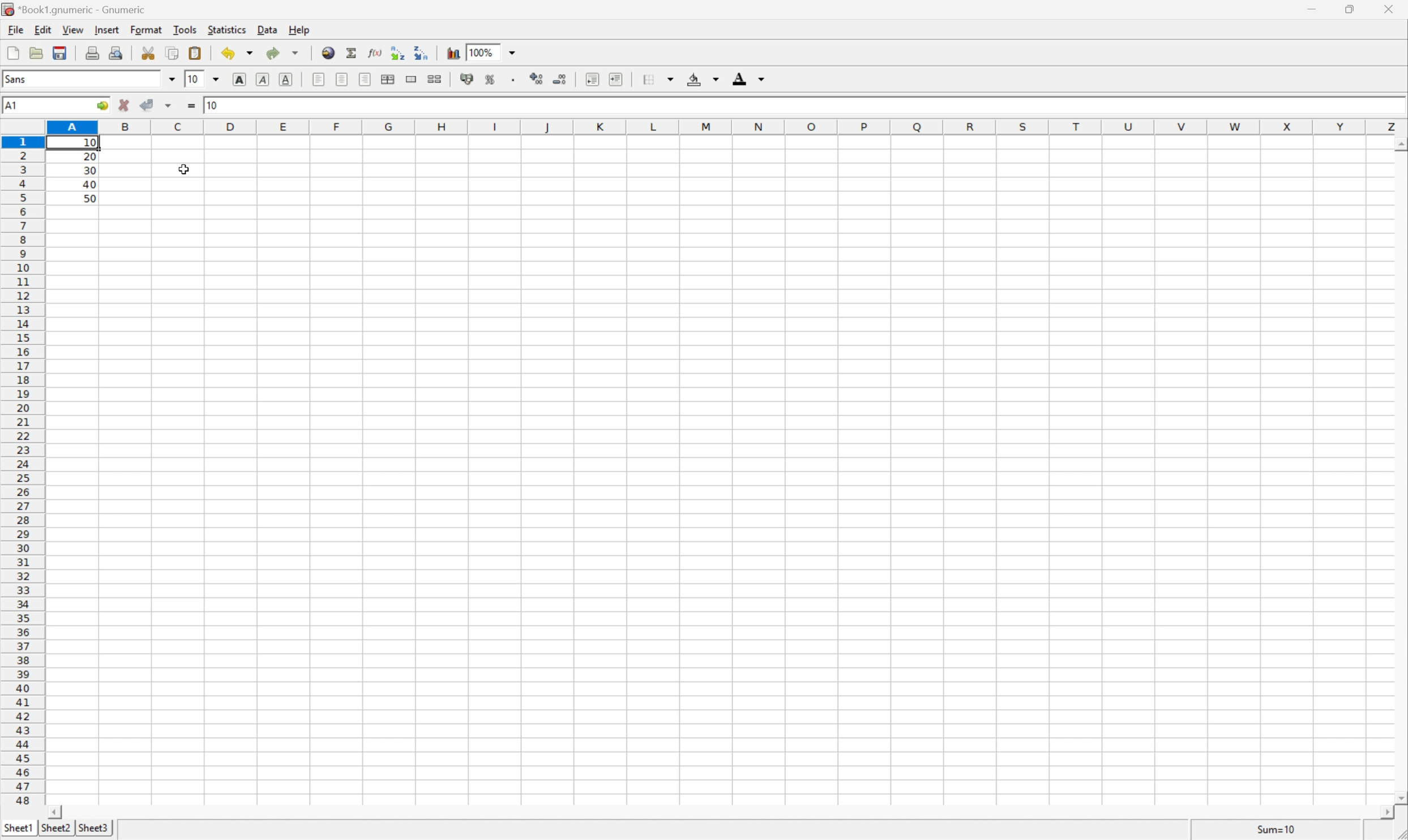 The width and height of the screenshot is (1408, 840). Describe the element at coordinates (1400, 143) in the screenshot. I see `Scroll Up` at that location.